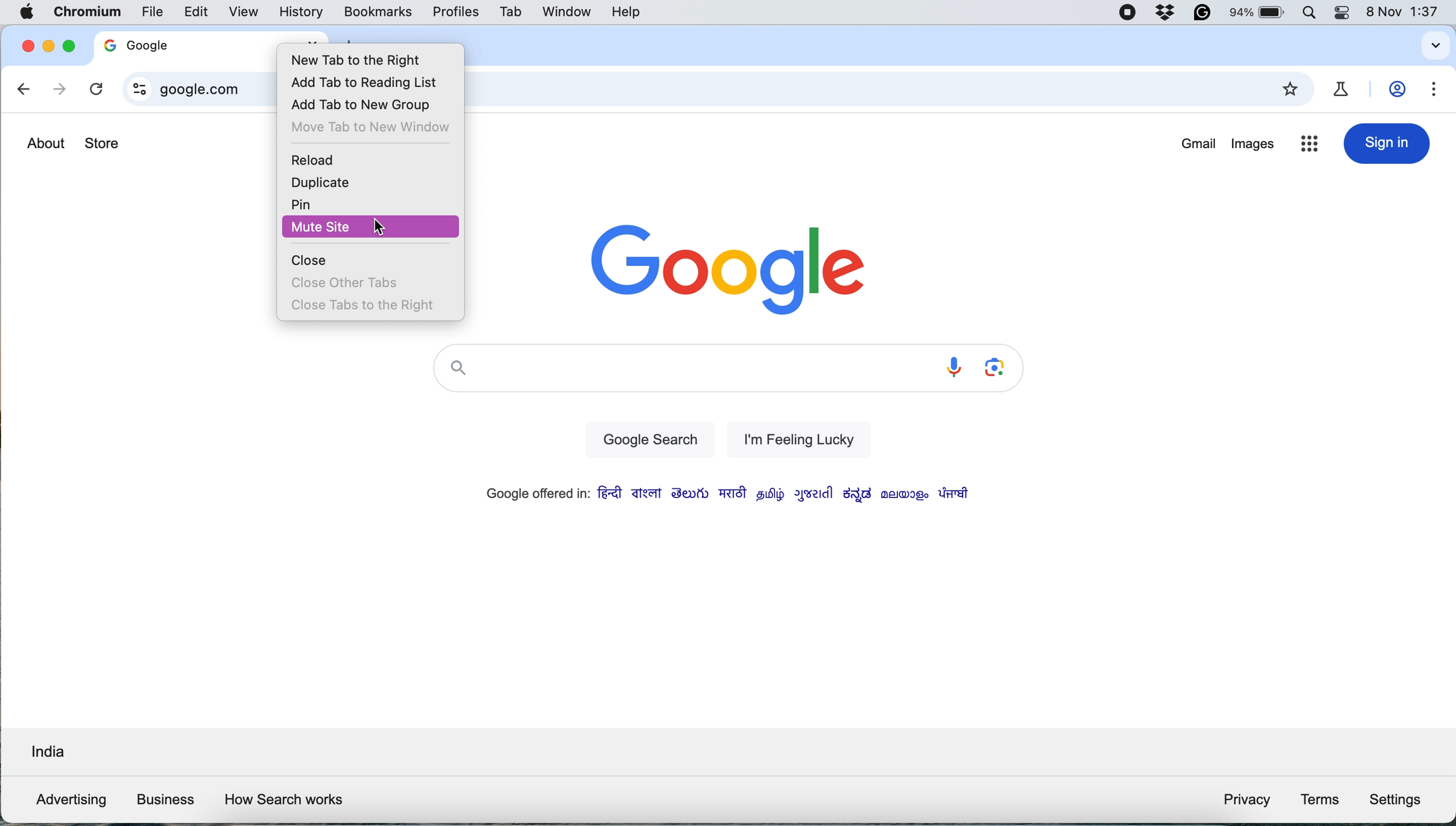  What do you see at coordinates (564, 11) in the screenshot?
I see `window` at bounding box center [564, 11].